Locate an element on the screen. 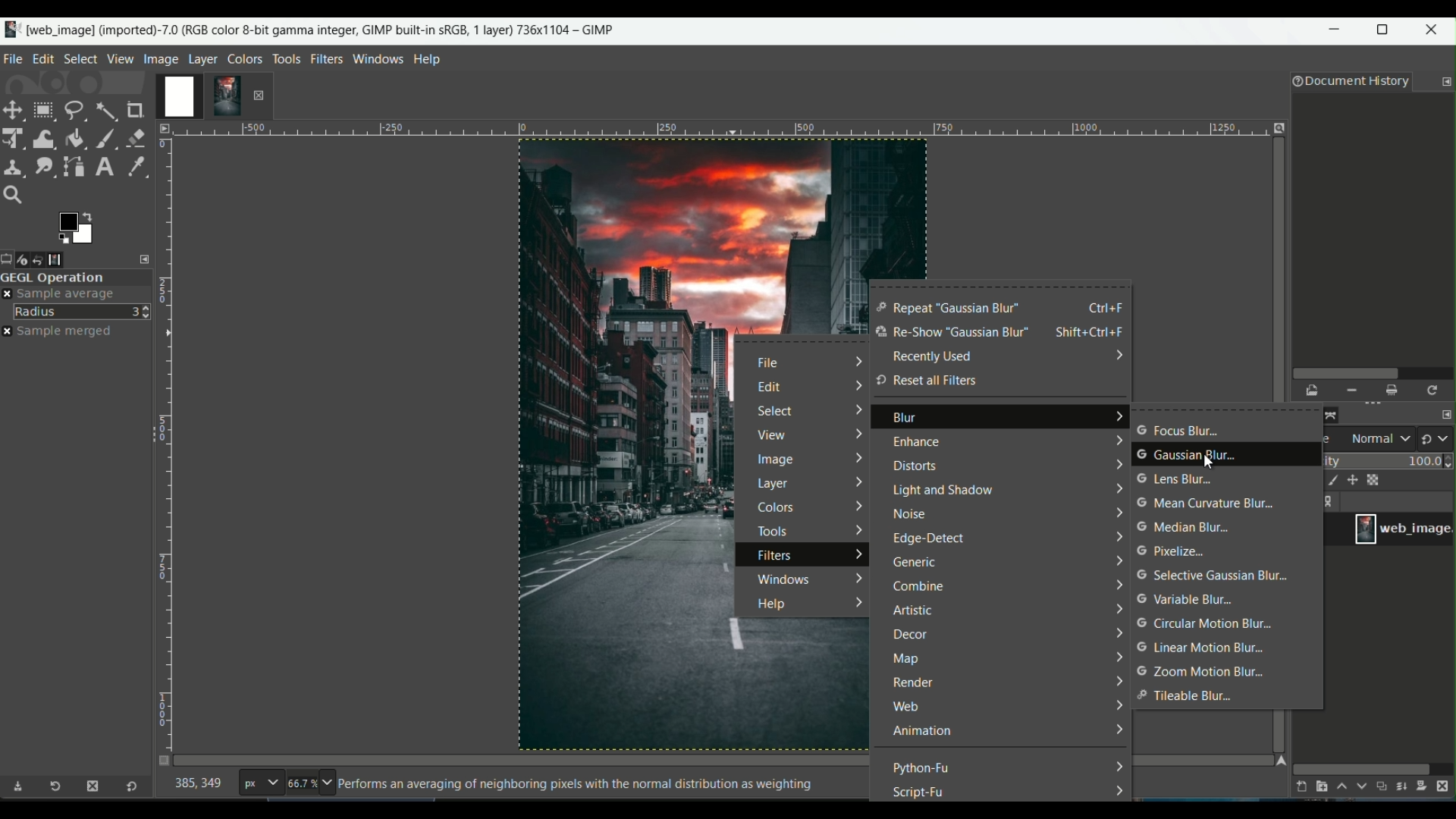 The image size is (1456, 819). cursor is located at coordinates (1211, 466).